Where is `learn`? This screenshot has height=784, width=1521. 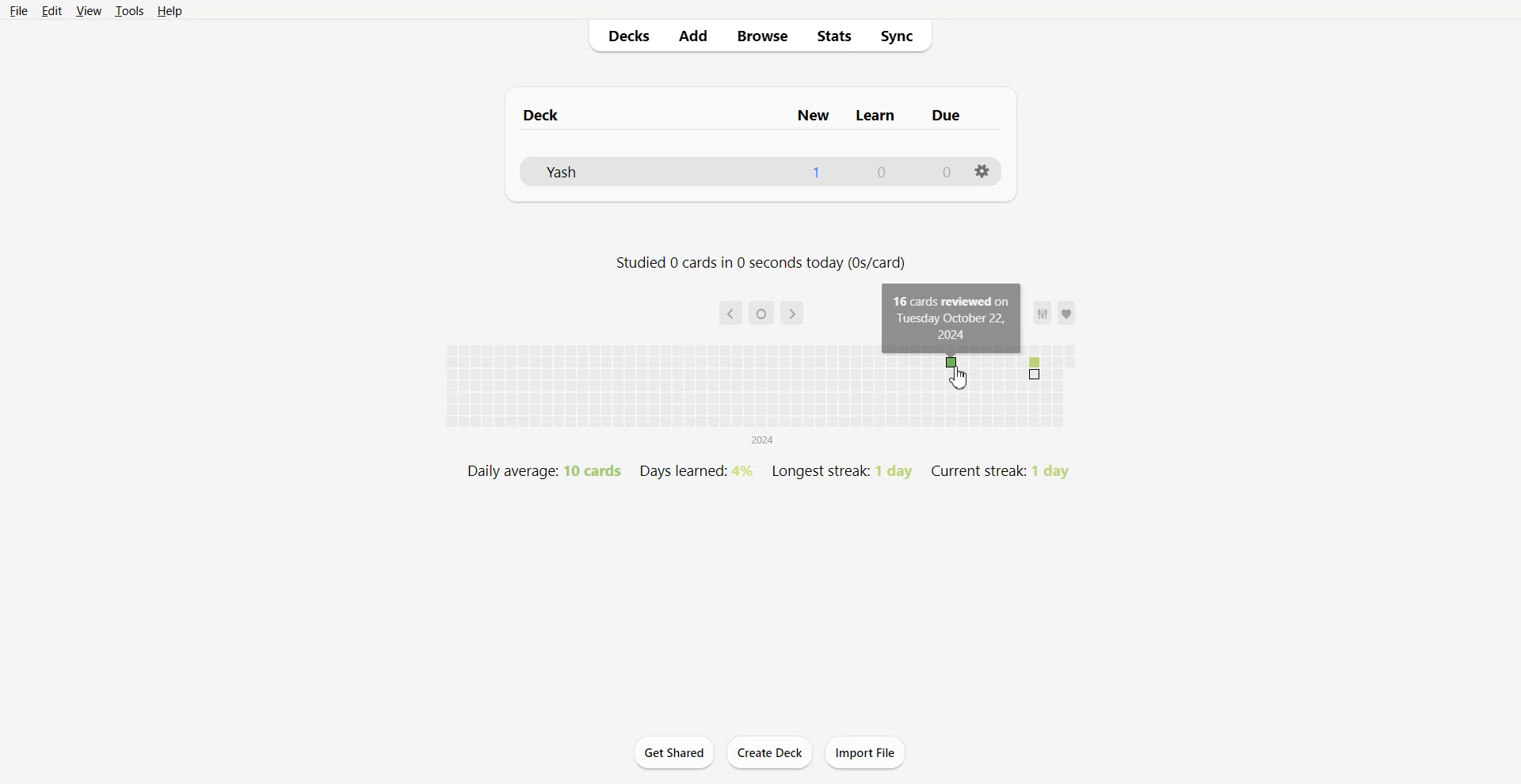
learn is located at coordinates (876, 115).